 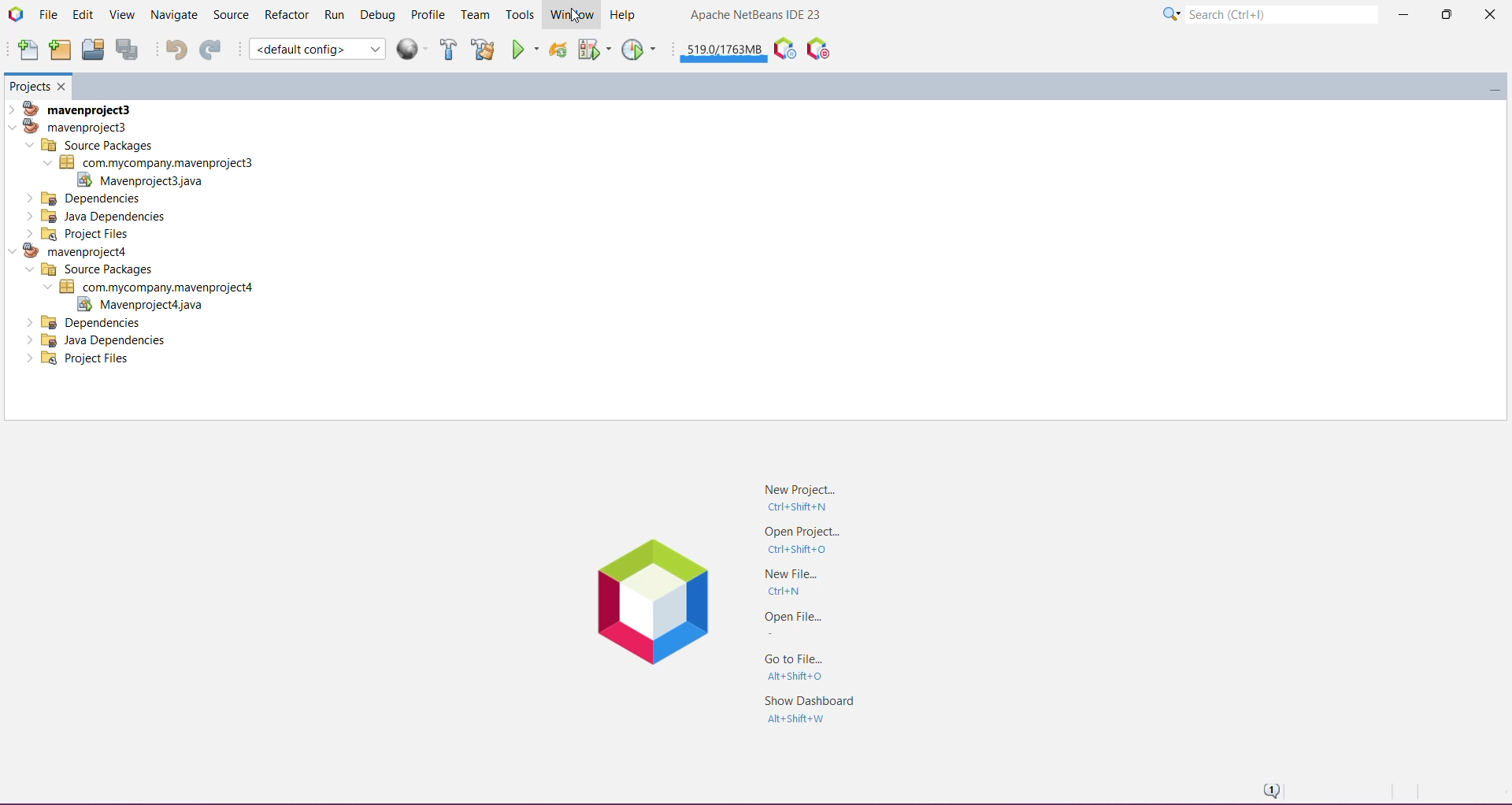 What do you see at coordinates (317, 49) in the screenshot?
I see `Set Project Configuration` at bounding box center [317, 49].